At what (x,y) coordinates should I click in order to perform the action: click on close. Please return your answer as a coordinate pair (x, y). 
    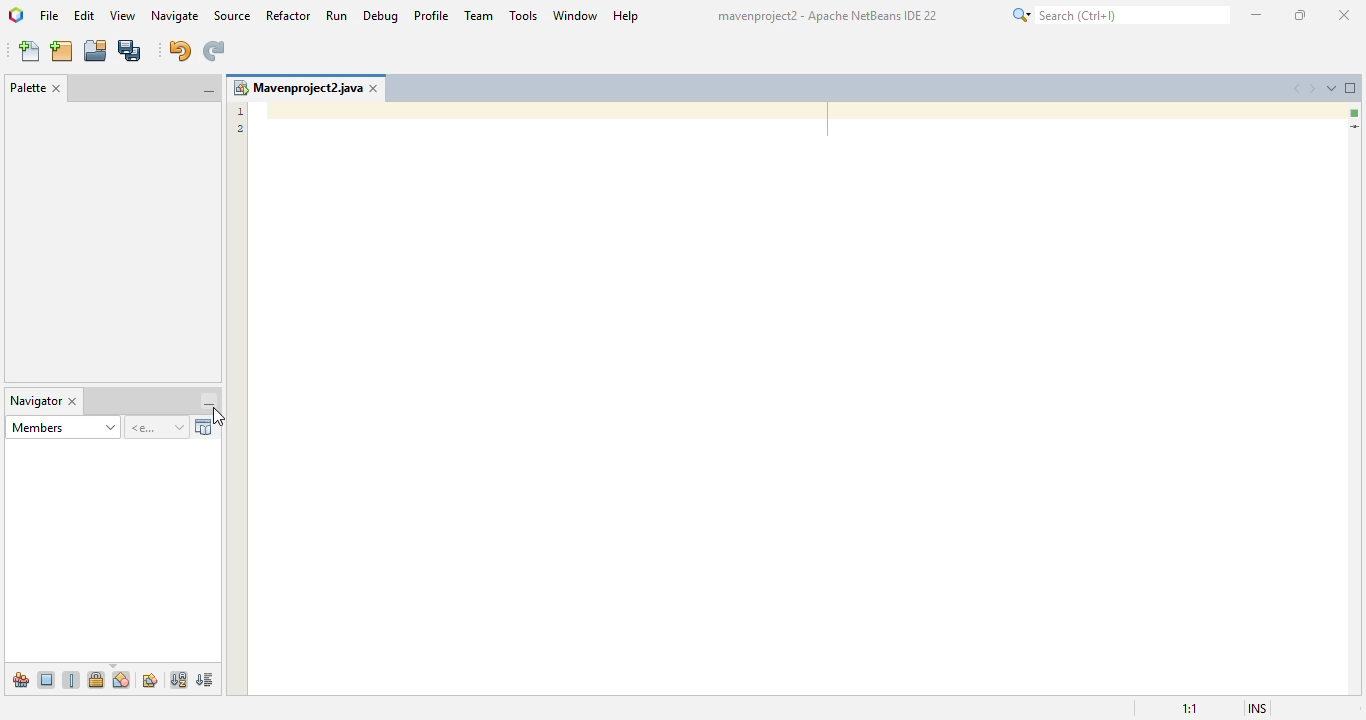
    Looking at the image, I should click on (1346, 15).